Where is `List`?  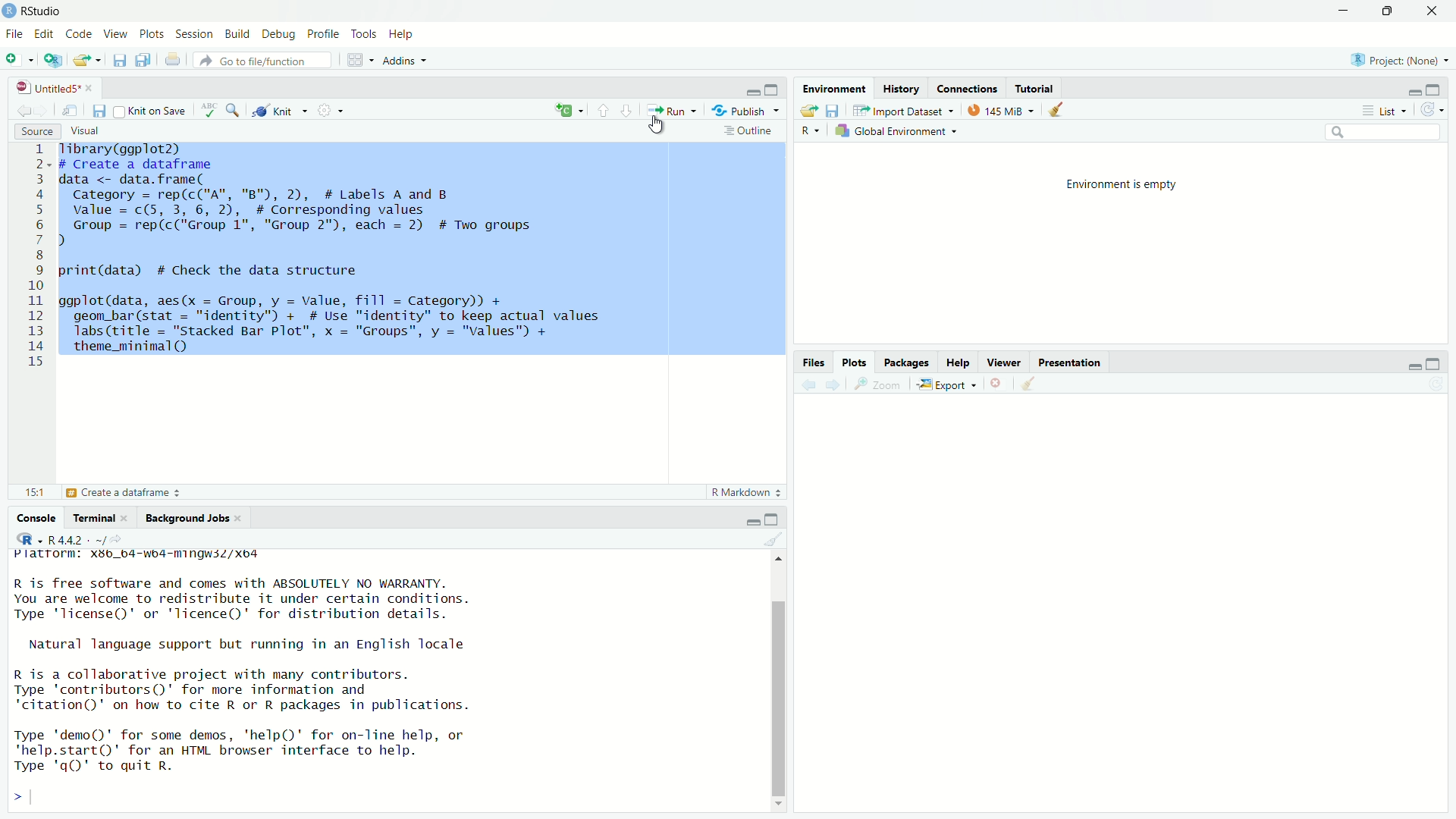
List is located at coordinates (1385, 109).